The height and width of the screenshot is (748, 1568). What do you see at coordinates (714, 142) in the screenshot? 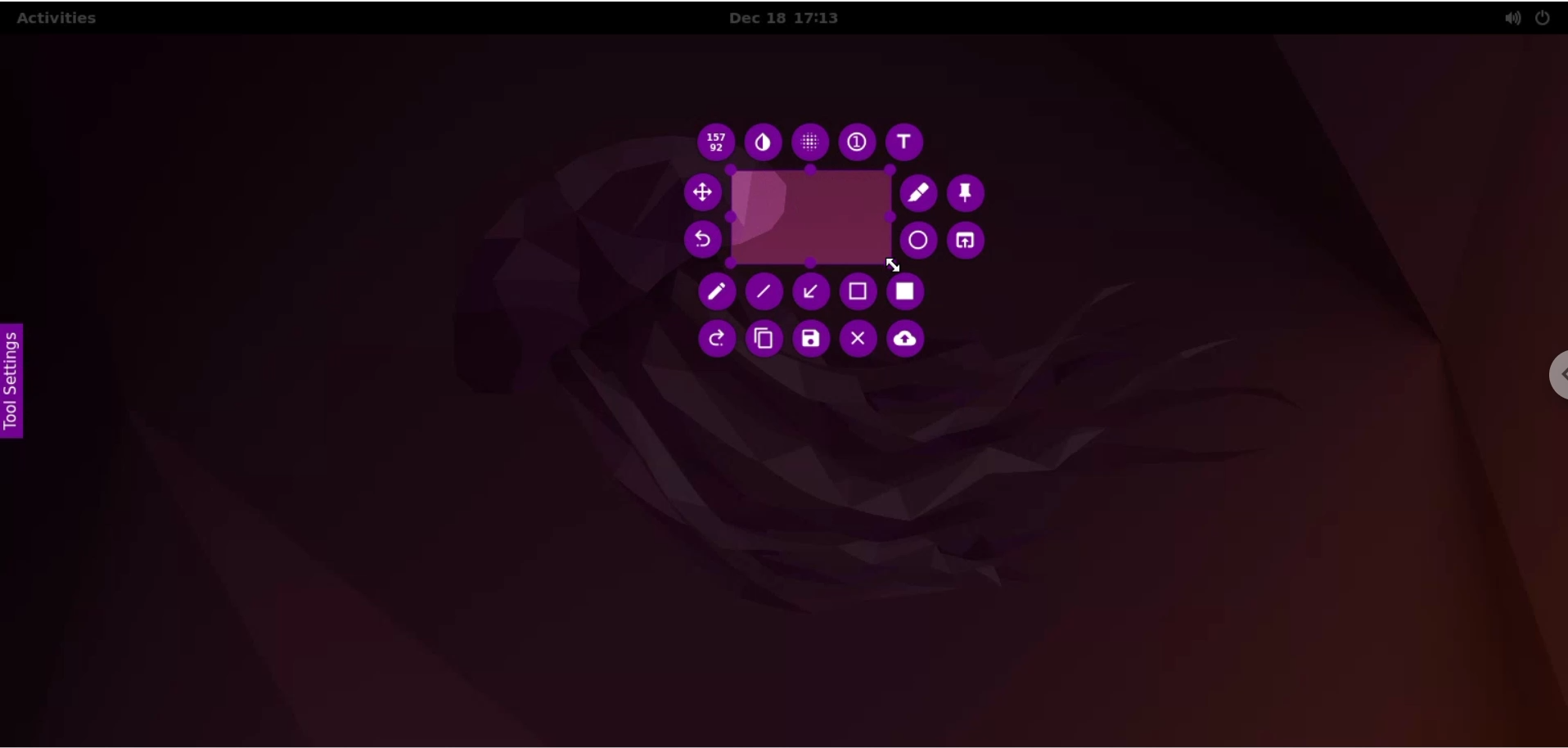
I see `x and y dimesion` at bounding box center [714, 142].